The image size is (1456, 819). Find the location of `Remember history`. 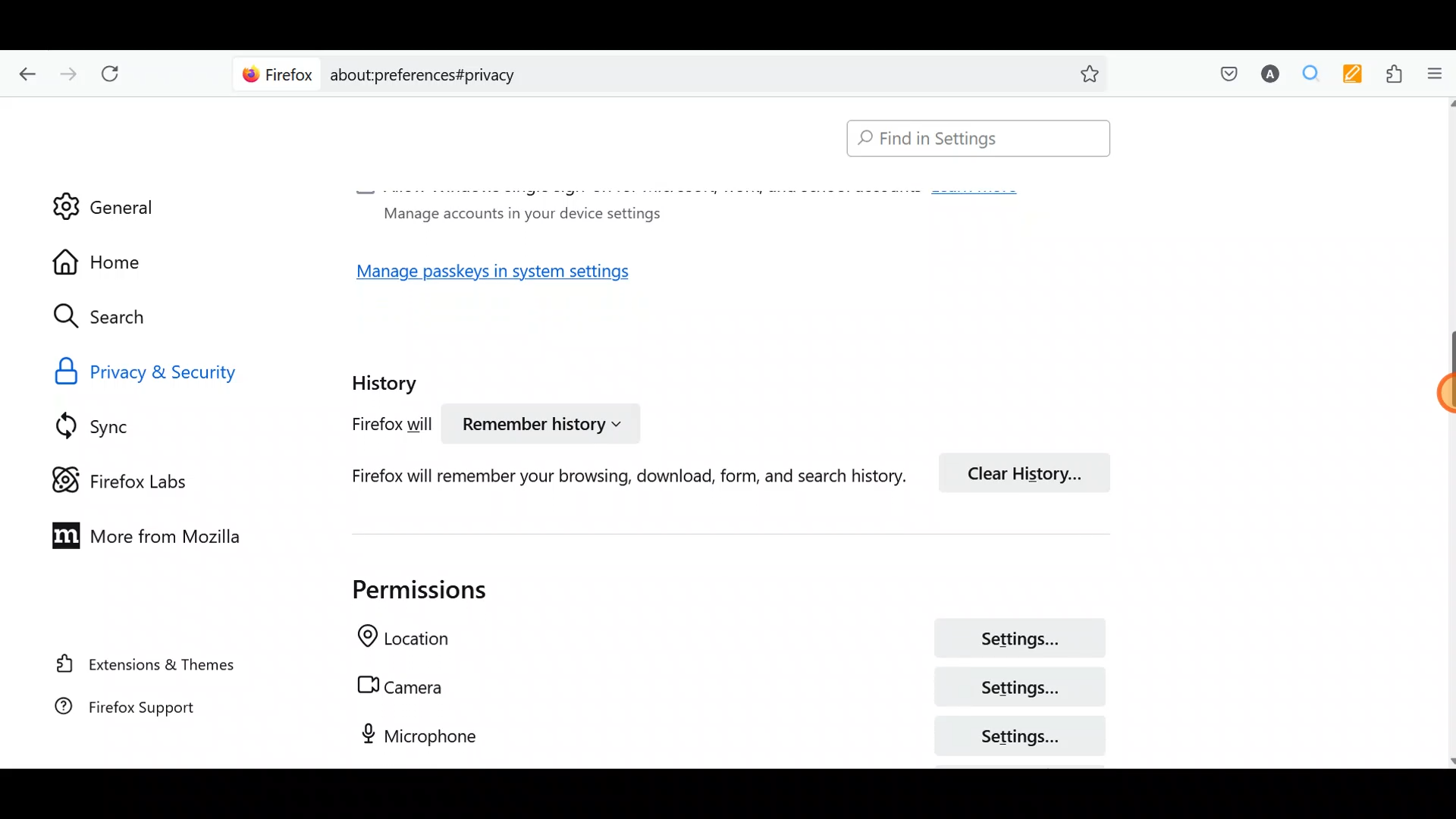

Remember history is located at coordinates (539, 426).